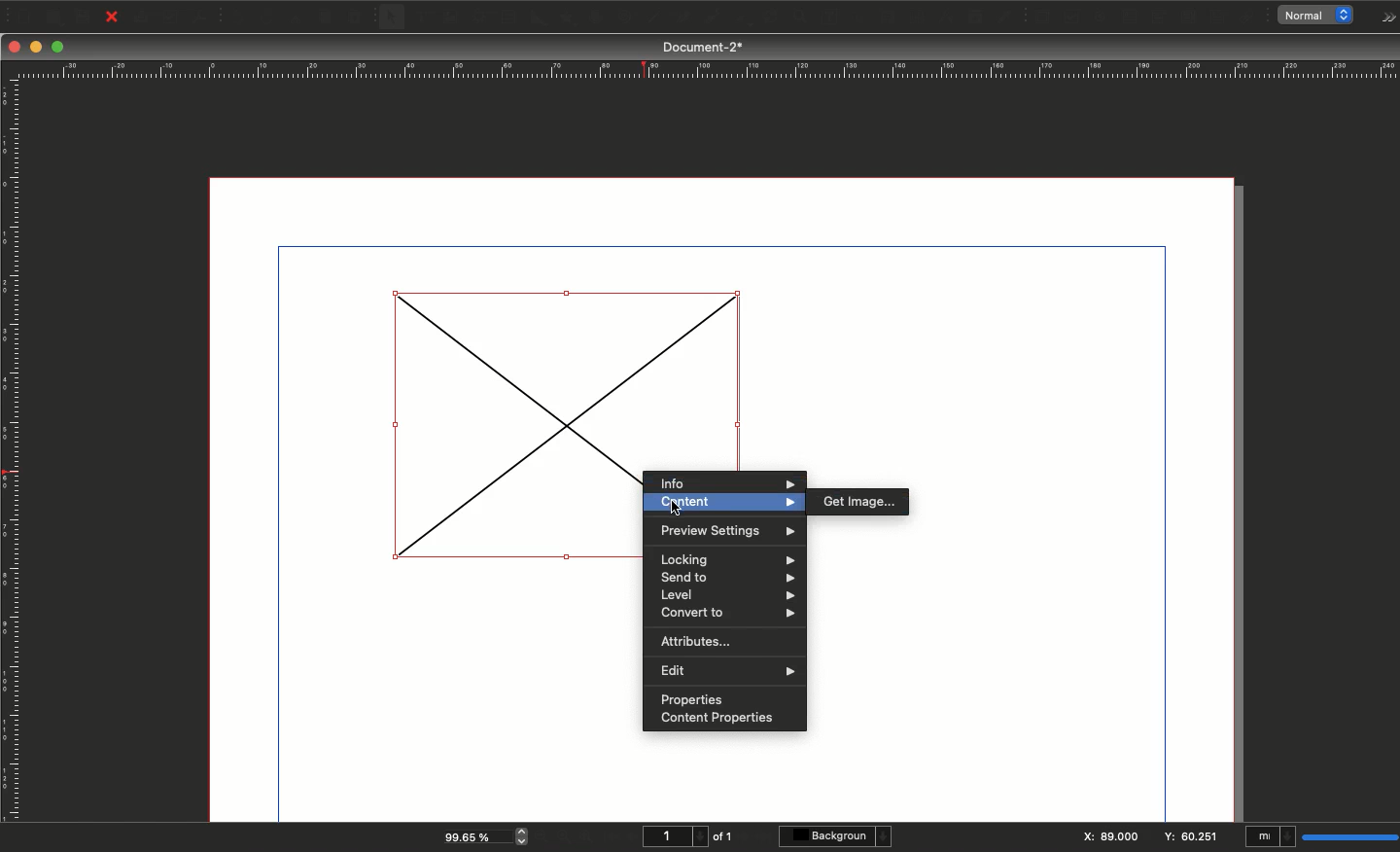 The width and height of the screenshot is (1400, 852). I want to click on Document-2*, so click(705, 47).